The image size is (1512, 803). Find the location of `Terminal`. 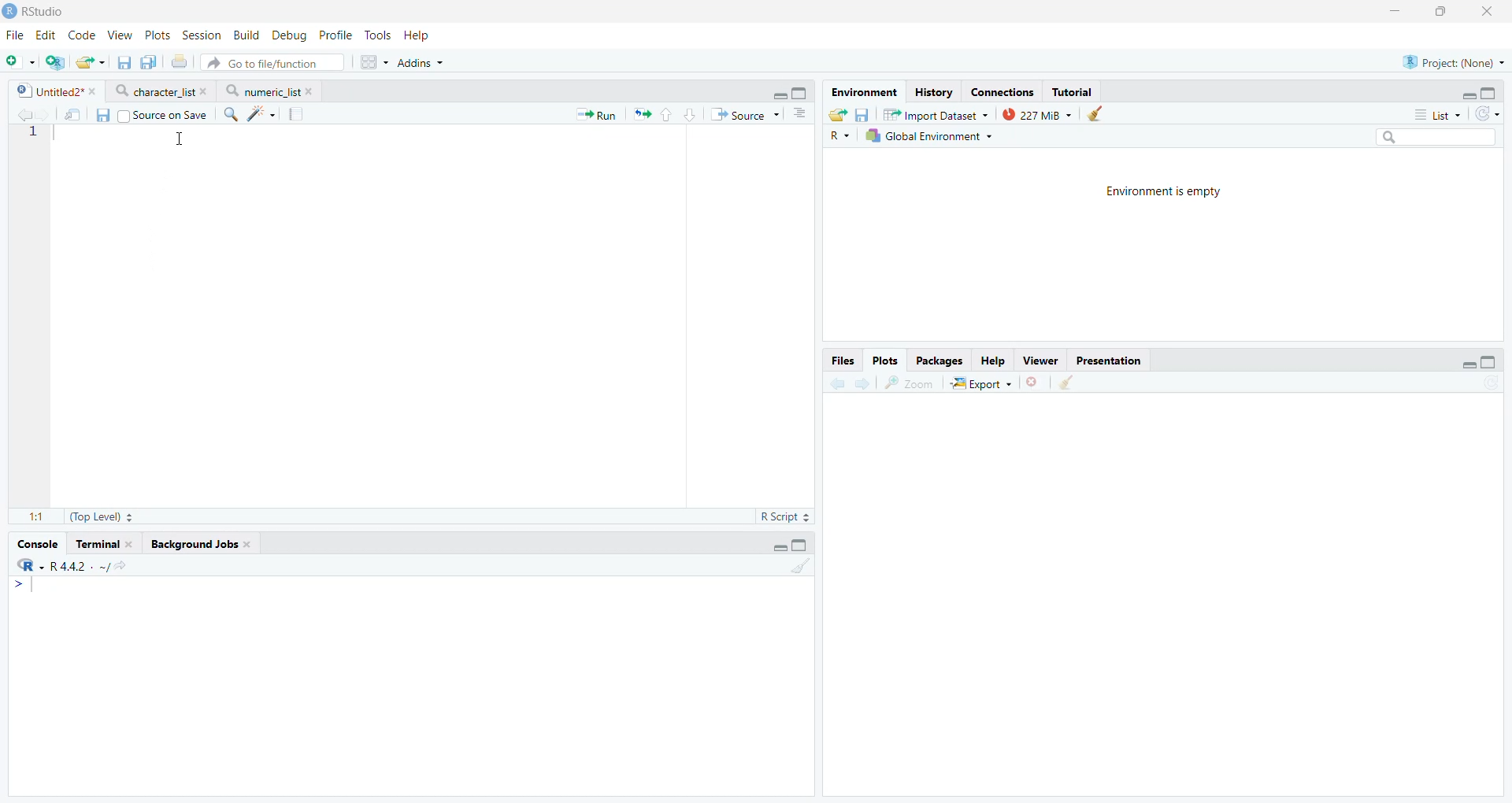

Terminal is located at coordinates (105, 542).